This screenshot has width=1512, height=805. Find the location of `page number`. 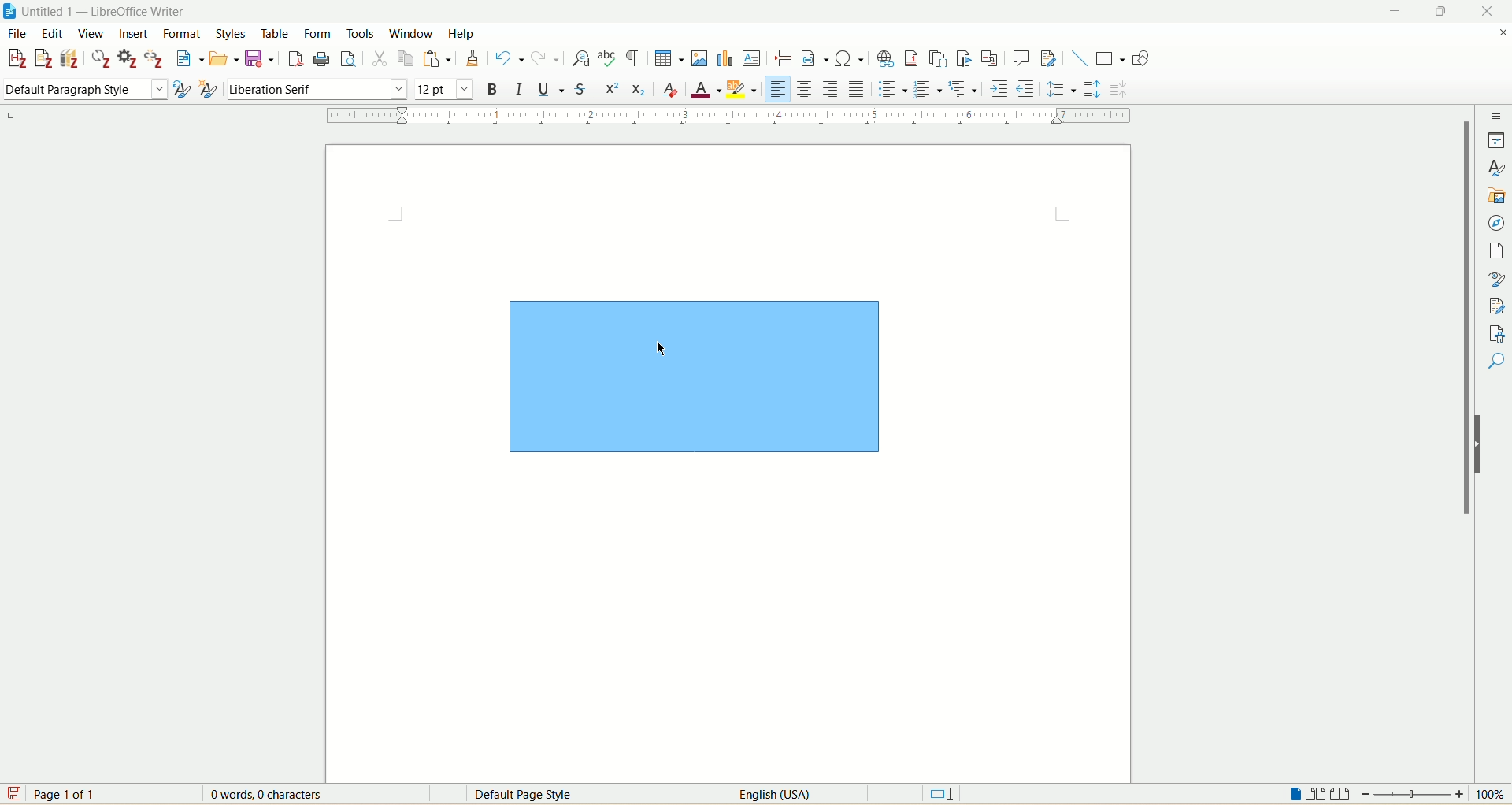

page number is located at coordinates (68, 795).